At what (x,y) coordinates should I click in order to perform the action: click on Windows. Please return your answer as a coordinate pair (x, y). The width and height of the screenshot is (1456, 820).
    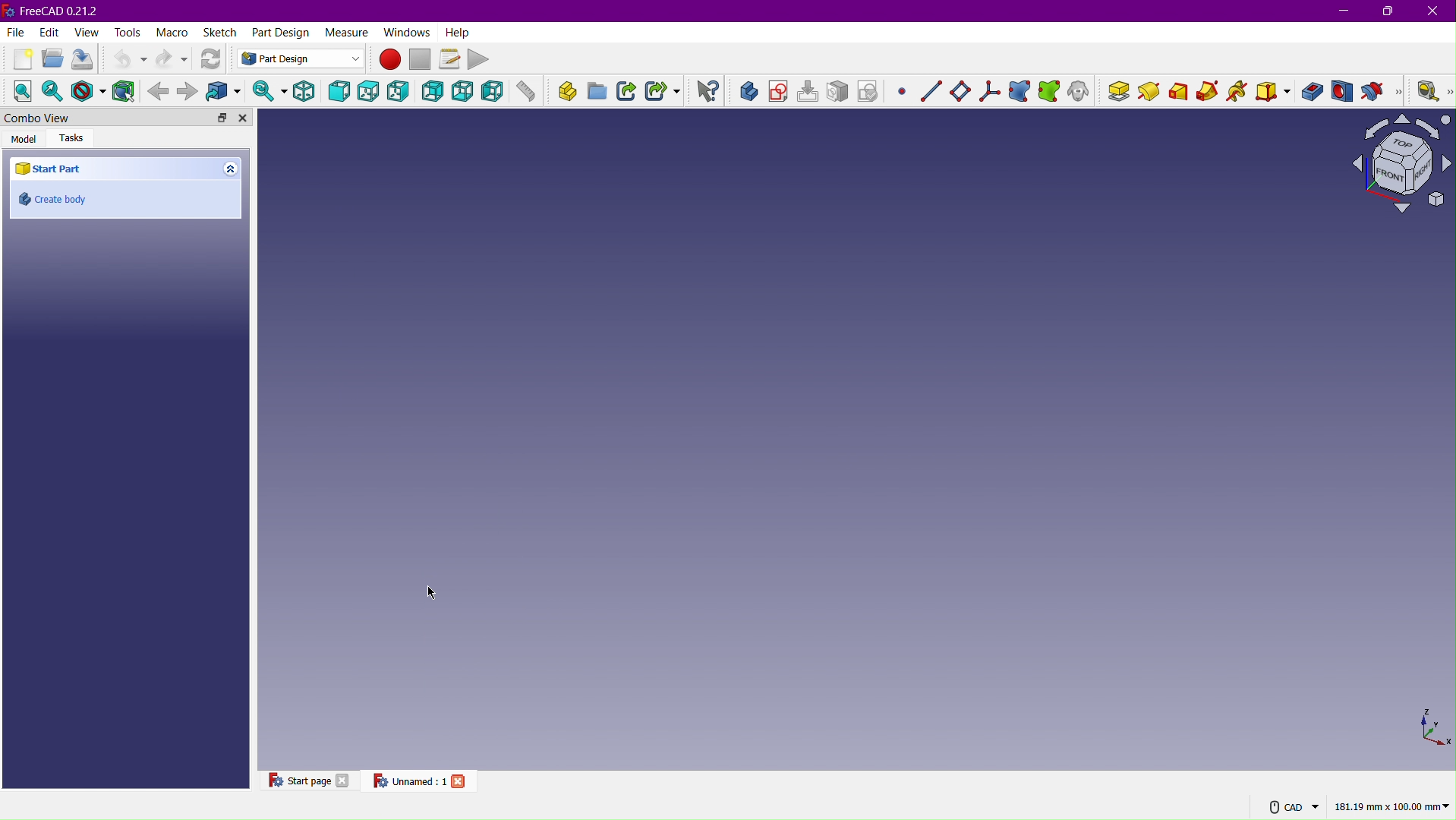
    Looking at the image, I should click on (221, 33).